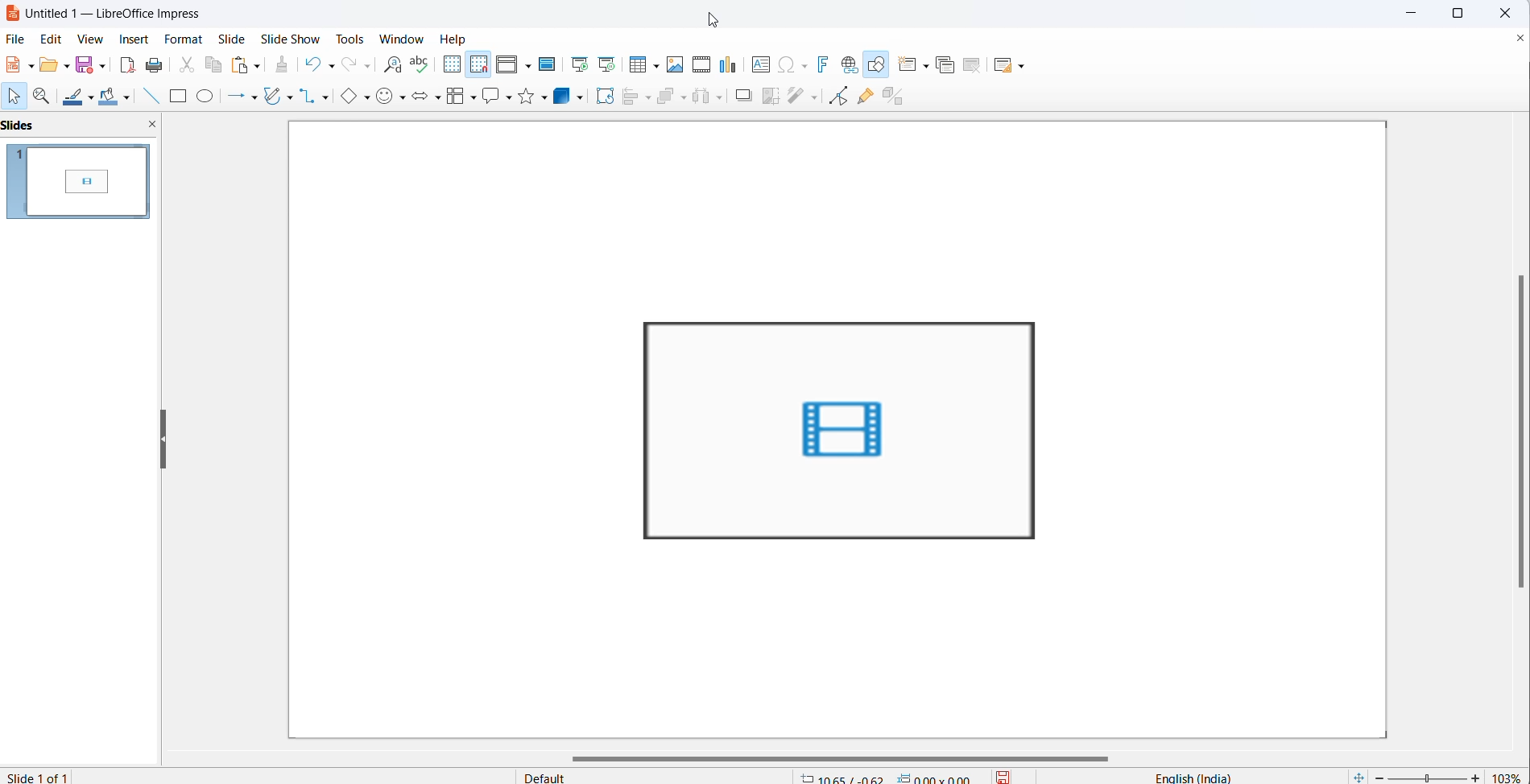  I want to click on insert audio or video, so click(703, 62).